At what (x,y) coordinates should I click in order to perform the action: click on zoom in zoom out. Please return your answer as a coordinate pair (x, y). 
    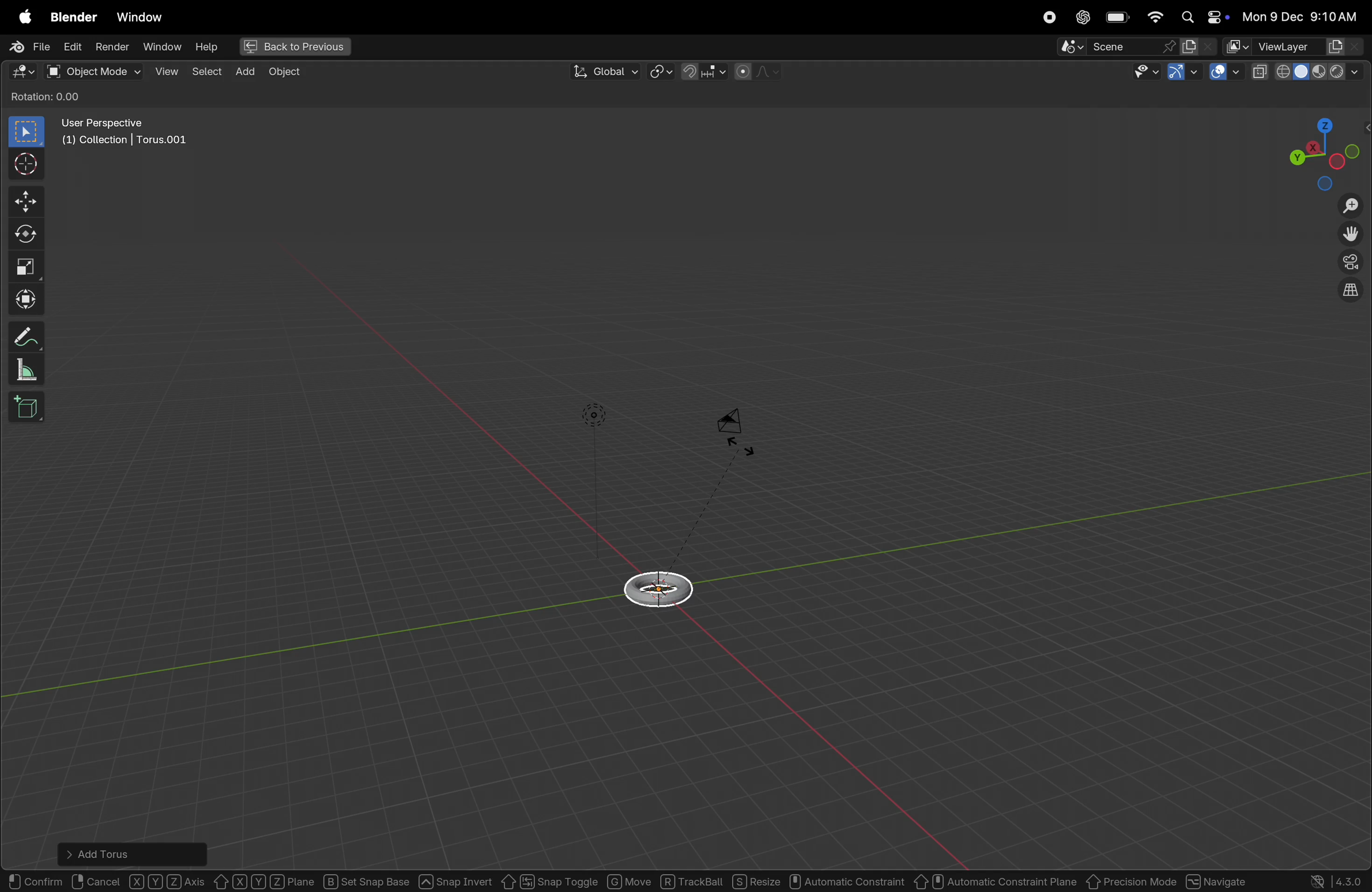
    Looking at the image, I should click on (1354, 206).